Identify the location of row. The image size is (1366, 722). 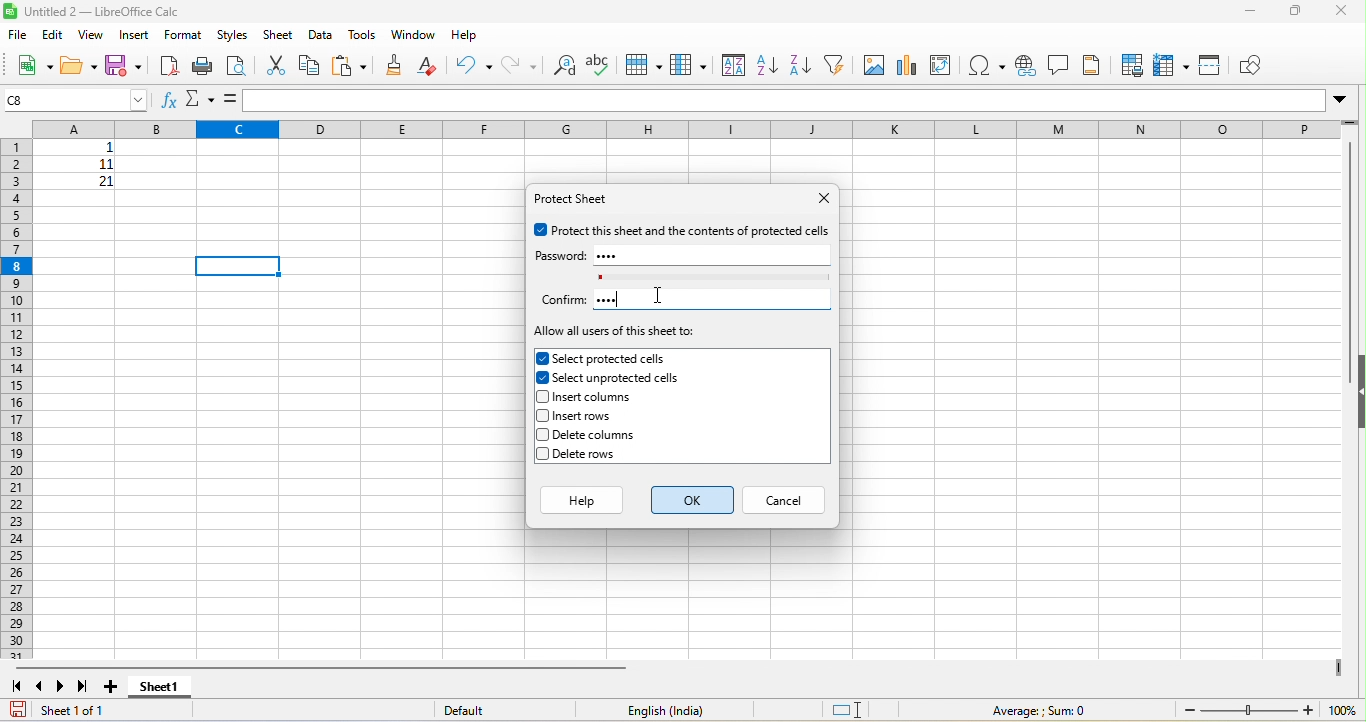
(642, 63).